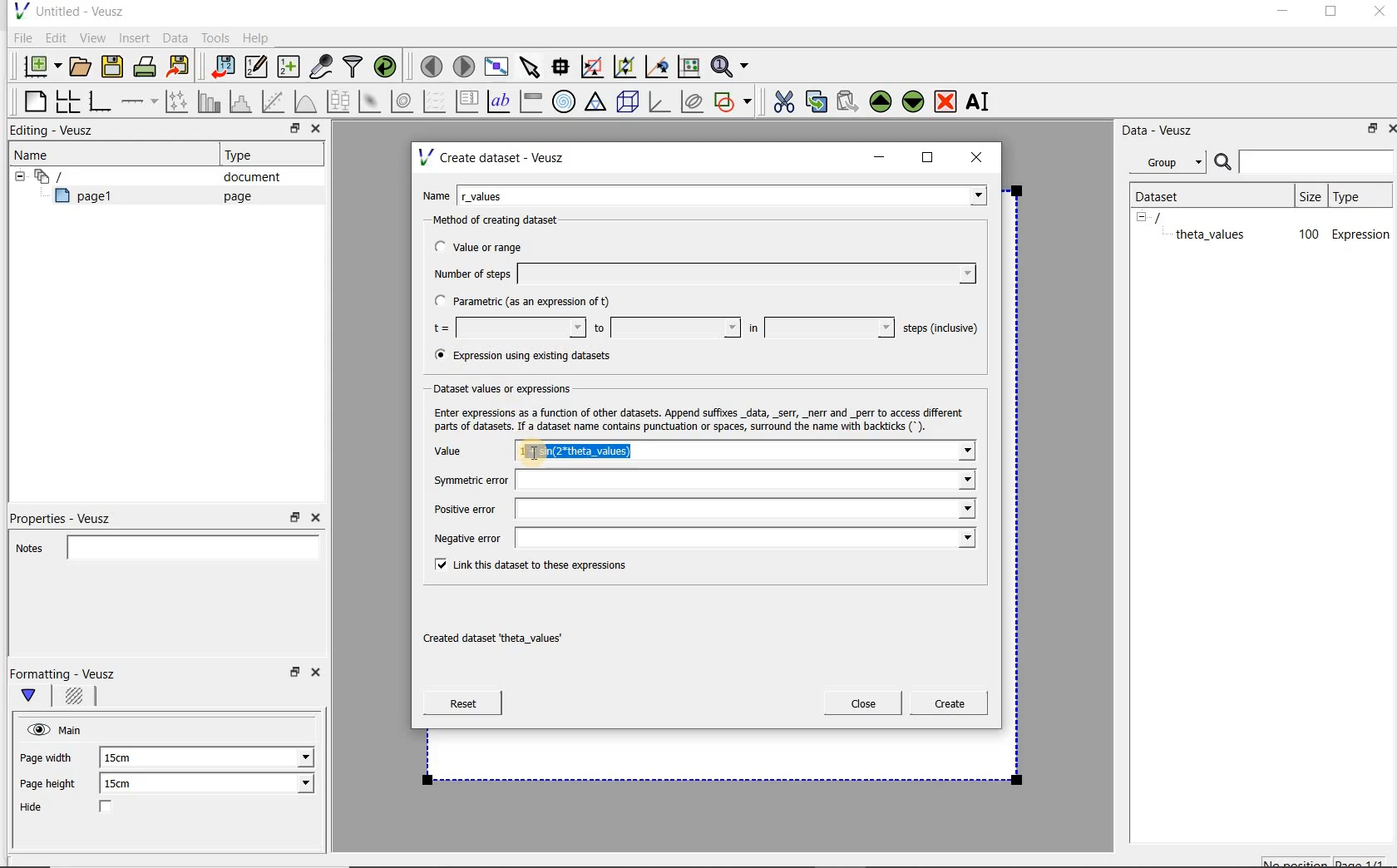  Describe the element at coordinates (819, 328) in the screenshot. I see `in ` at that location.